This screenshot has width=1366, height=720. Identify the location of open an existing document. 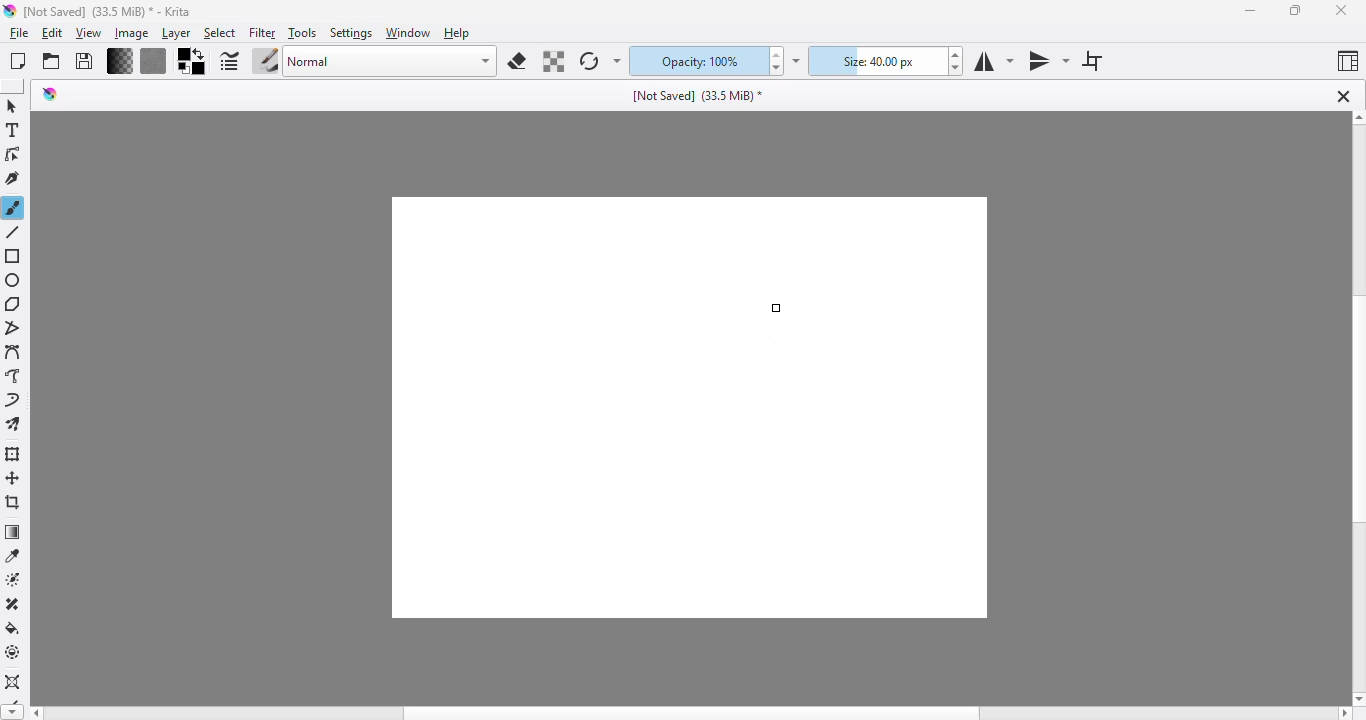
(51, 62).